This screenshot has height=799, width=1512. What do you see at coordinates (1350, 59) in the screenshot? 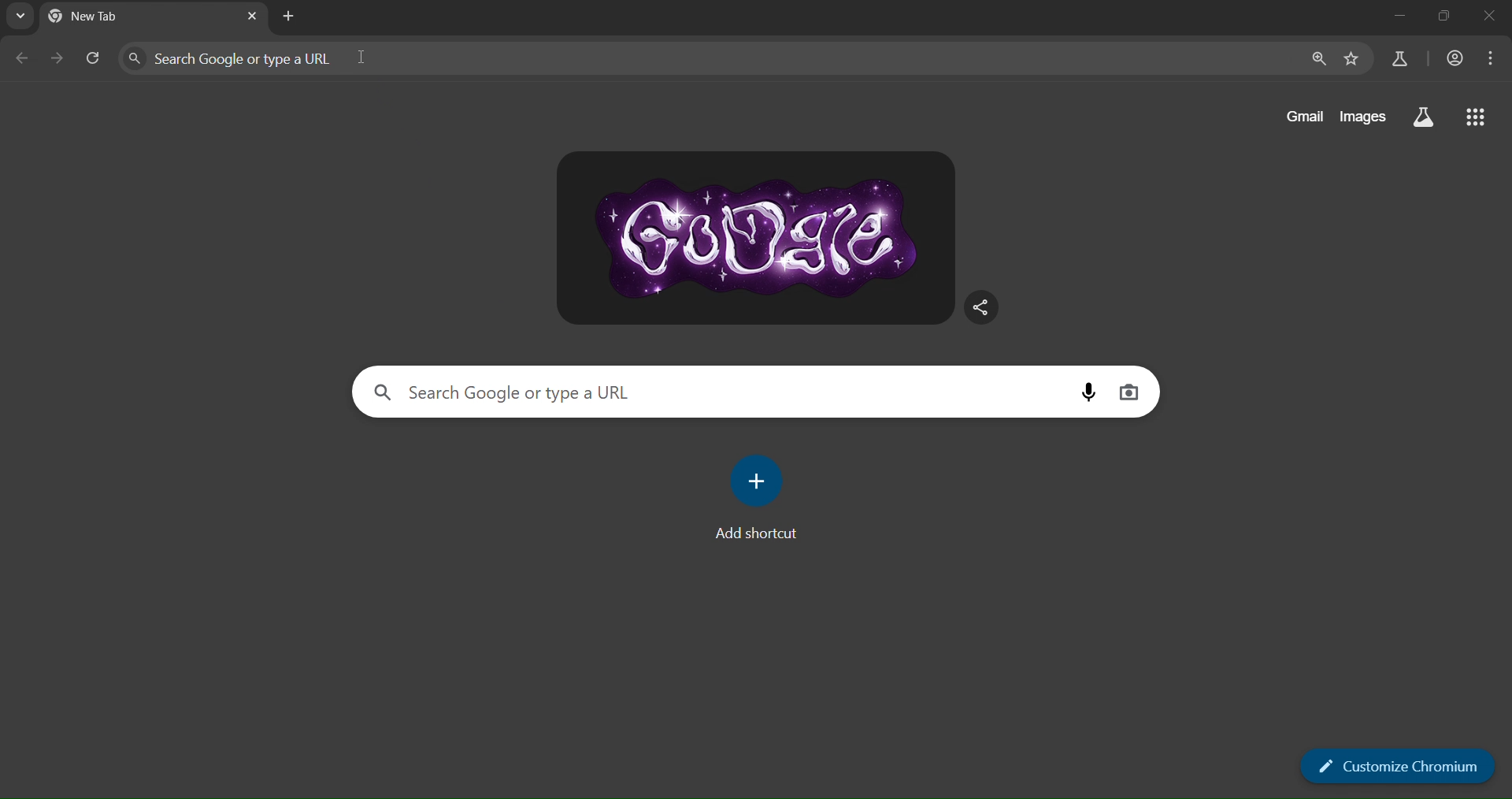
I see `bookmark page` at bounding box center [1350, 59].